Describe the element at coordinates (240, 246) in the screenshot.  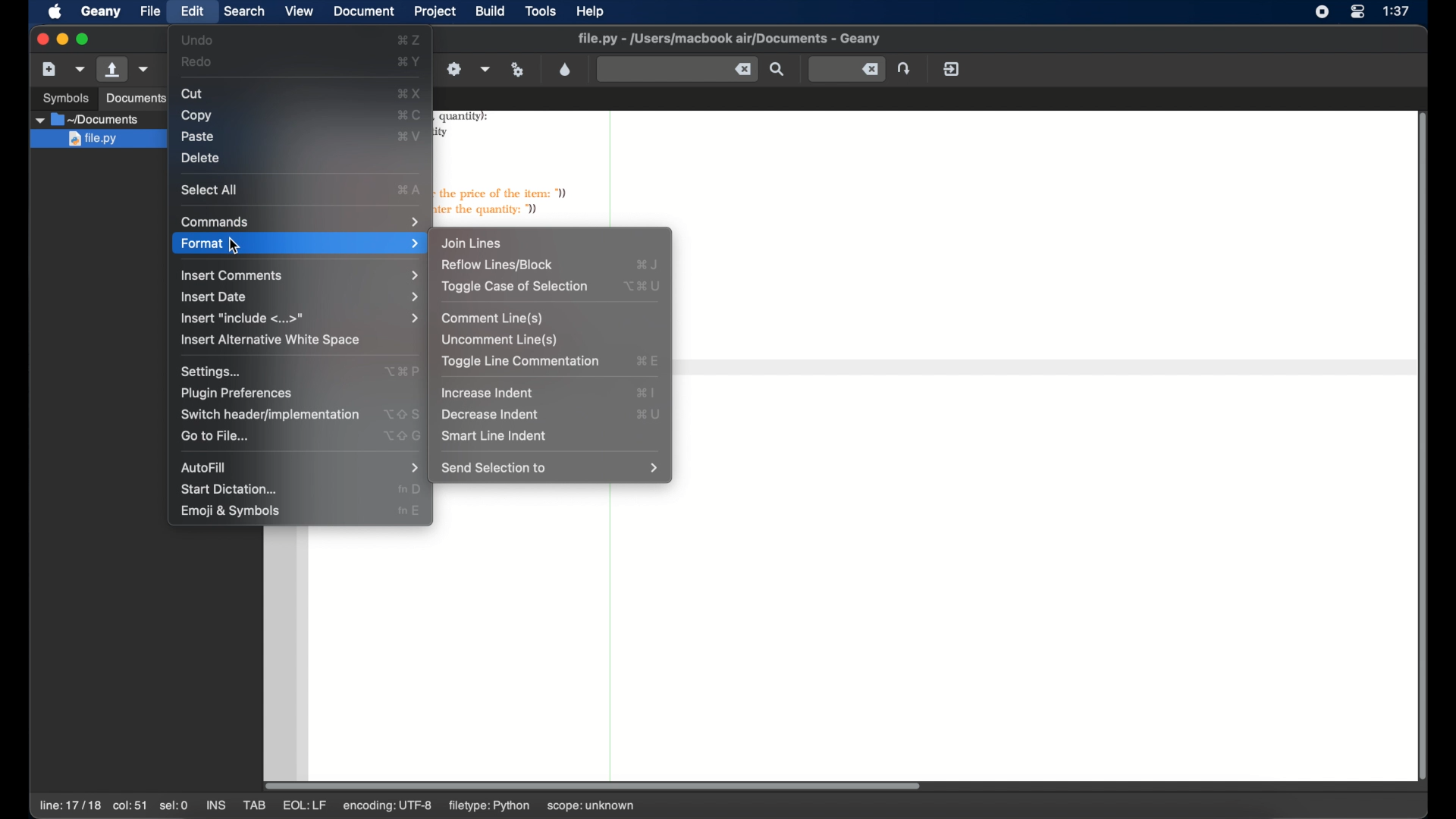
I see `cursor` at that location.